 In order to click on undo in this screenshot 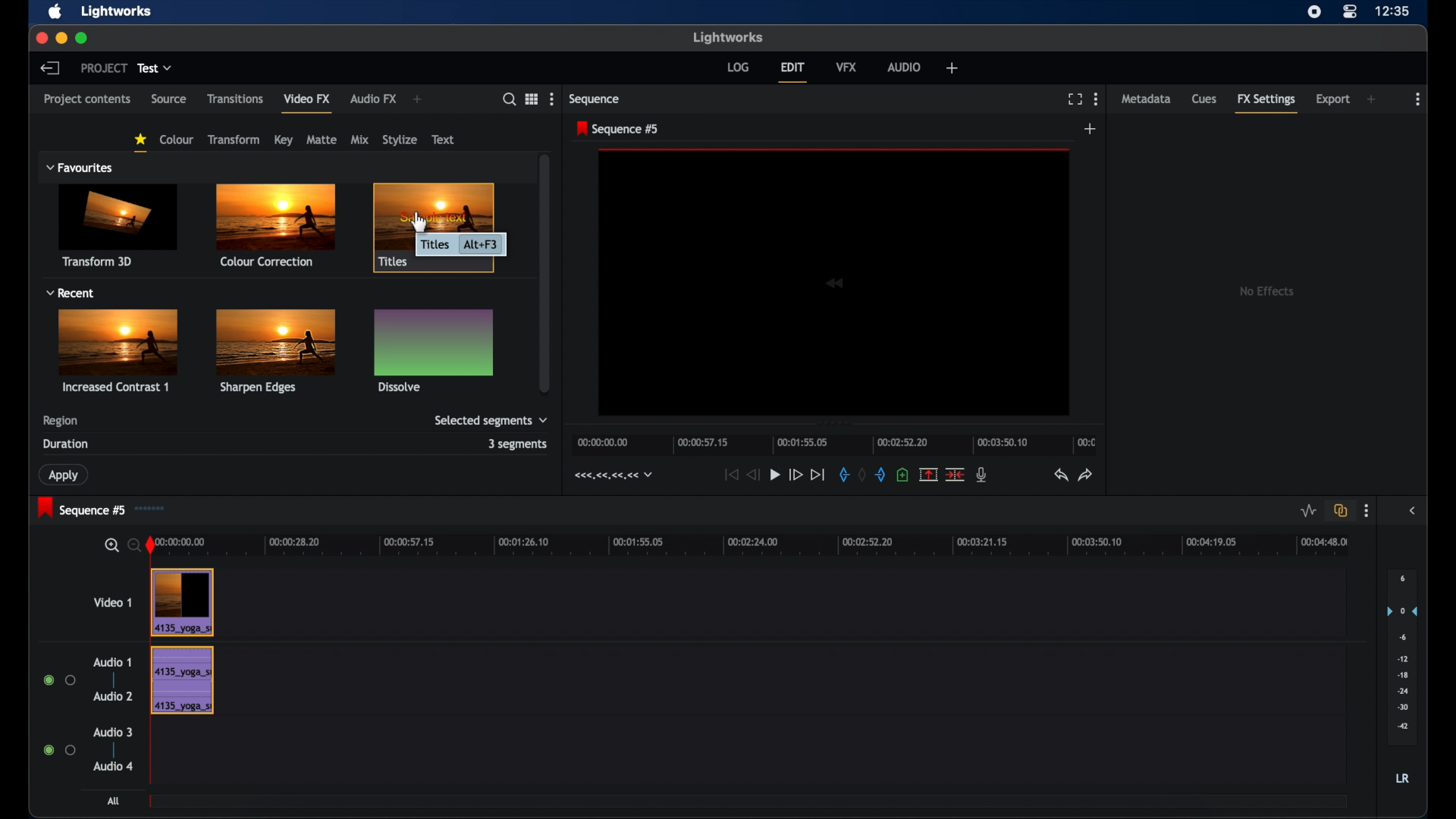, I will do `click(1061, 475)`.